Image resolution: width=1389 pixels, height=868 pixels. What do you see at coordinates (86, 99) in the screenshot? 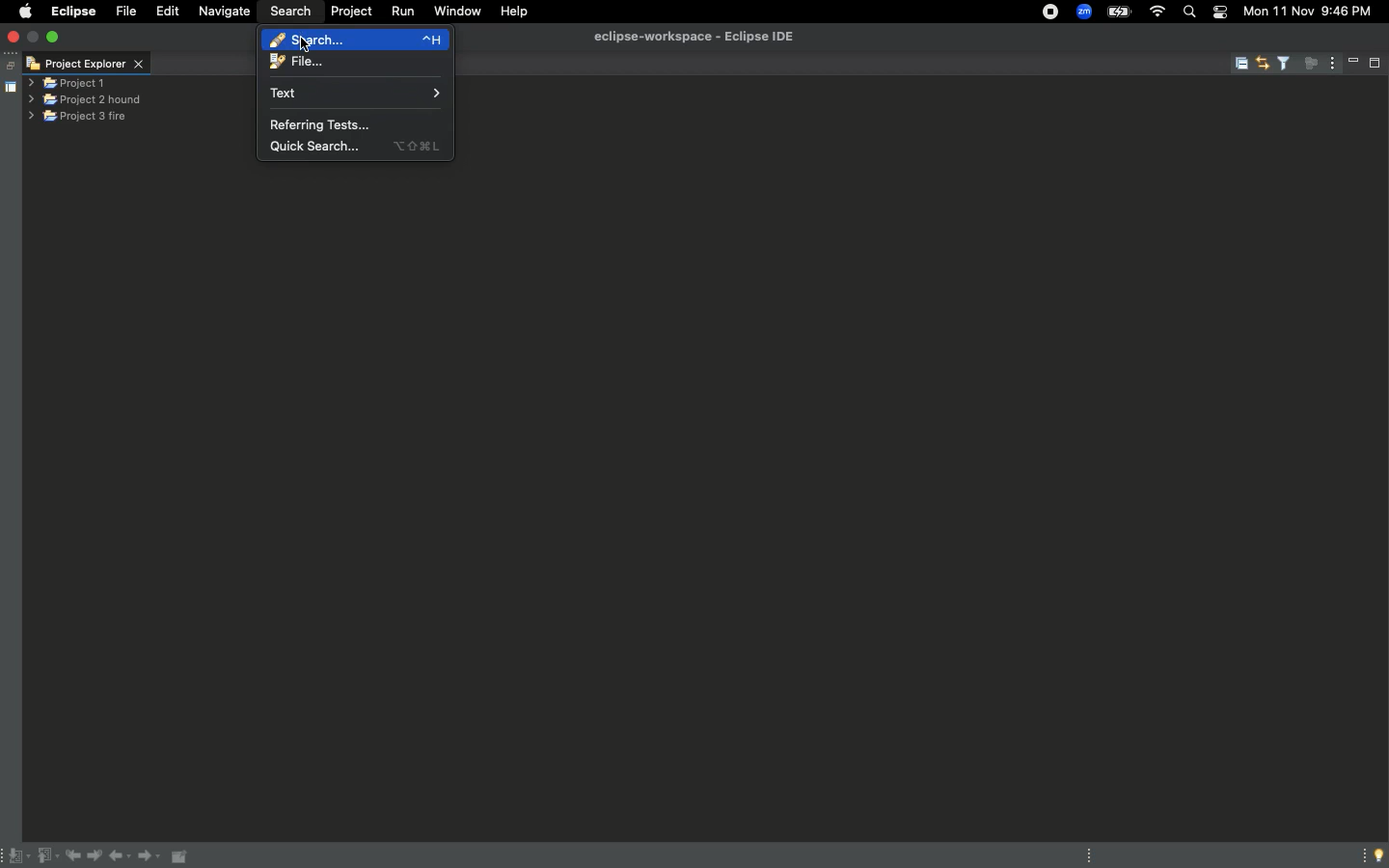
I see `Project 2 hound` at bounding box center [86, 99].